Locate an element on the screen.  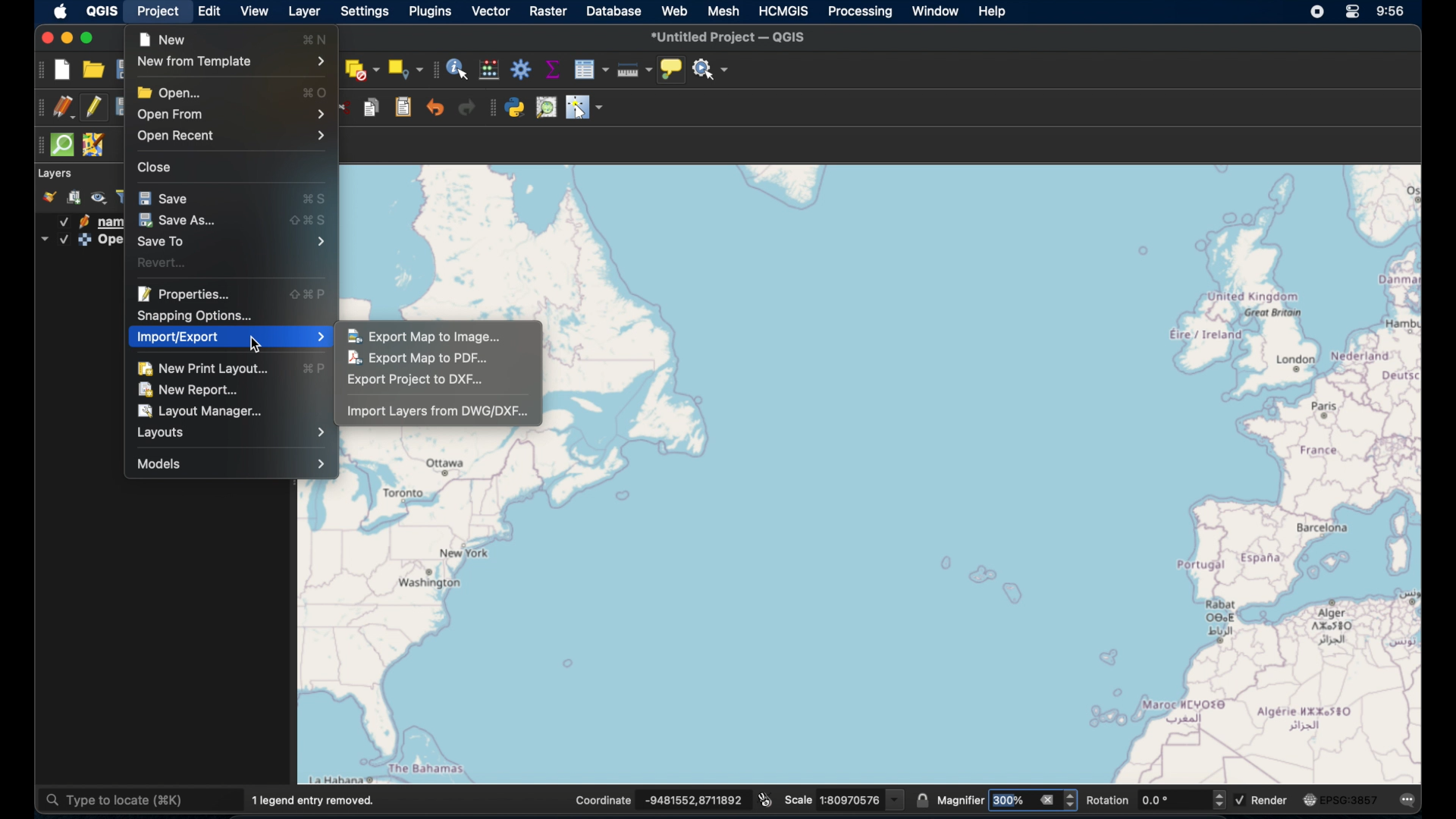
settings is located at coordinates (363, 11).